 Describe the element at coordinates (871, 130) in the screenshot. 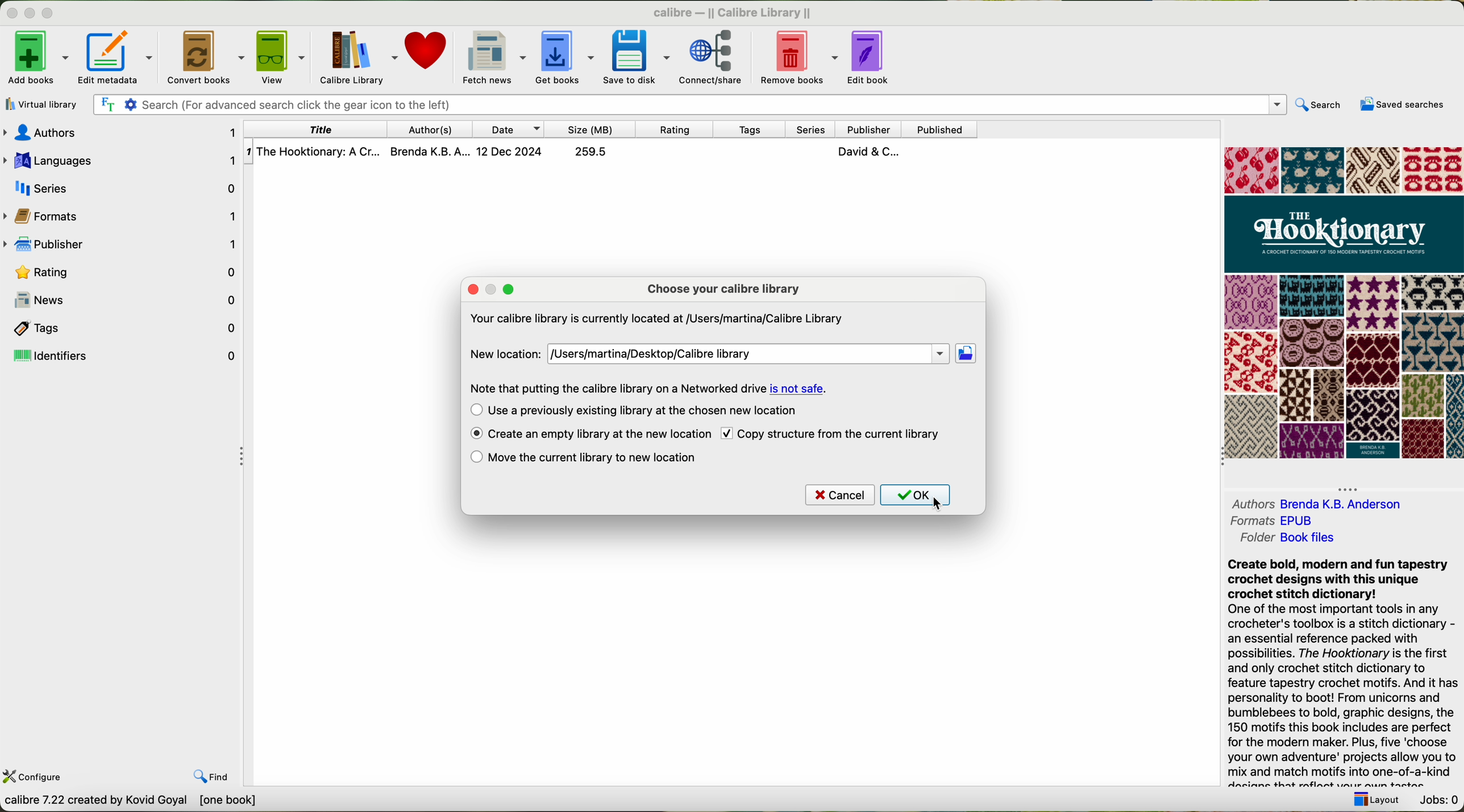

I see `publisher` at that location.